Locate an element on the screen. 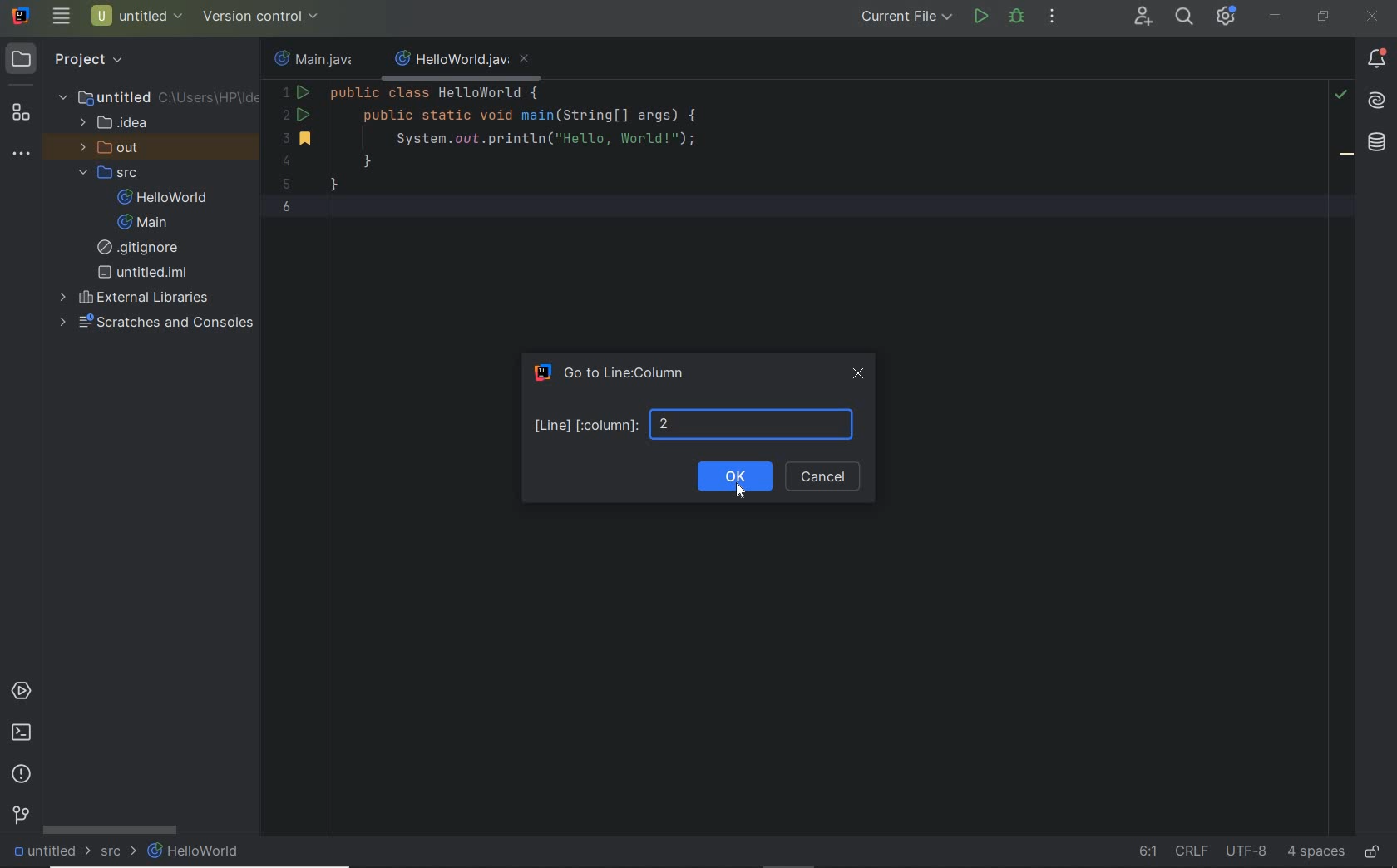 The height and width of the screenshot is (868, 1397). debug is located at coordinates (1016, 16).